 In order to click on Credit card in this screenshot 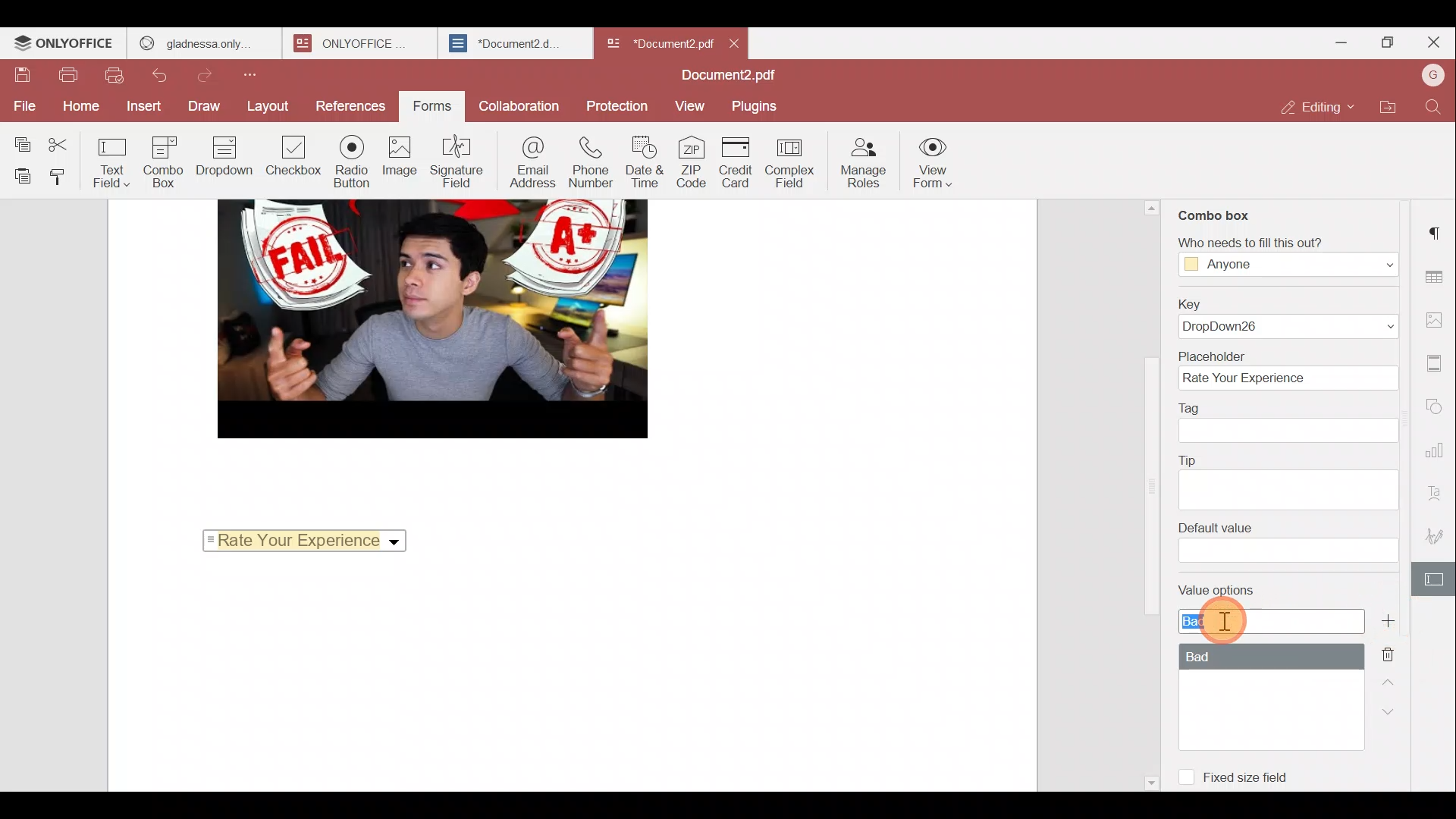, I will do `click(738, 162)`.